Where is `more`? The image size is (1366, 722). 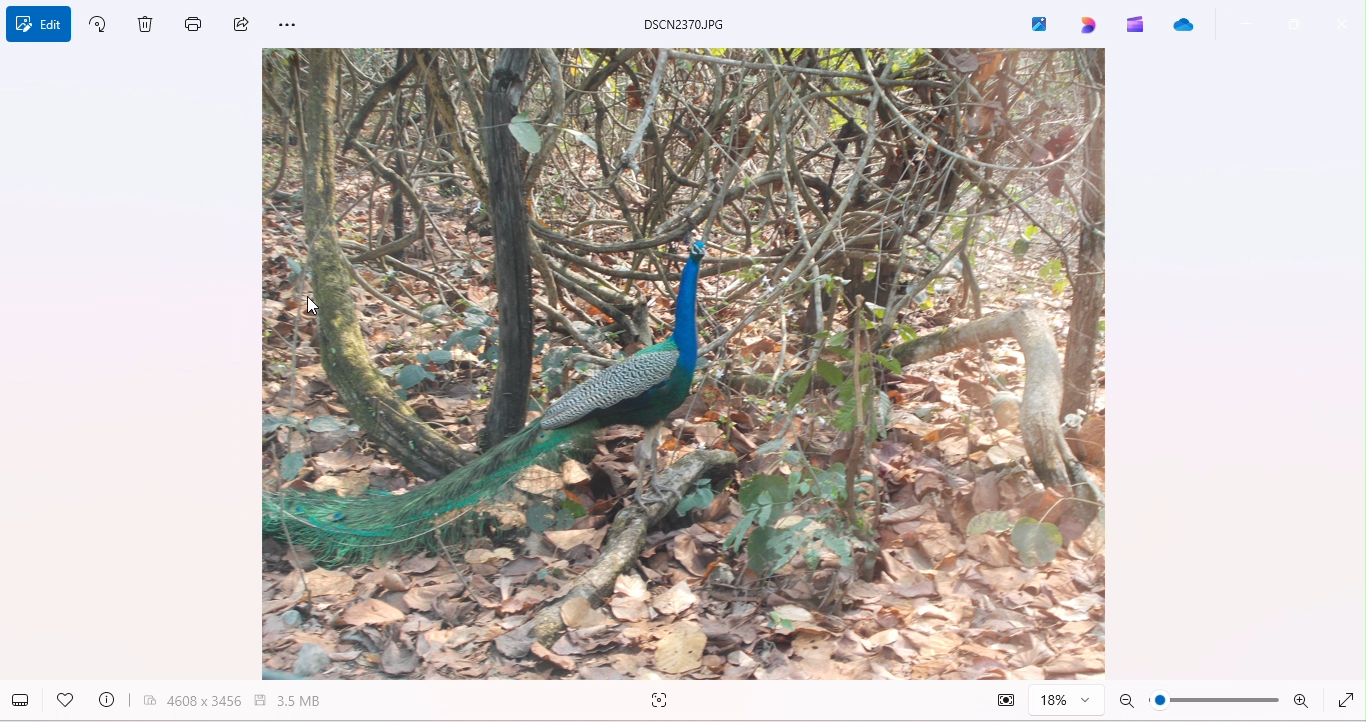
more is located at coordinates (309, 27).